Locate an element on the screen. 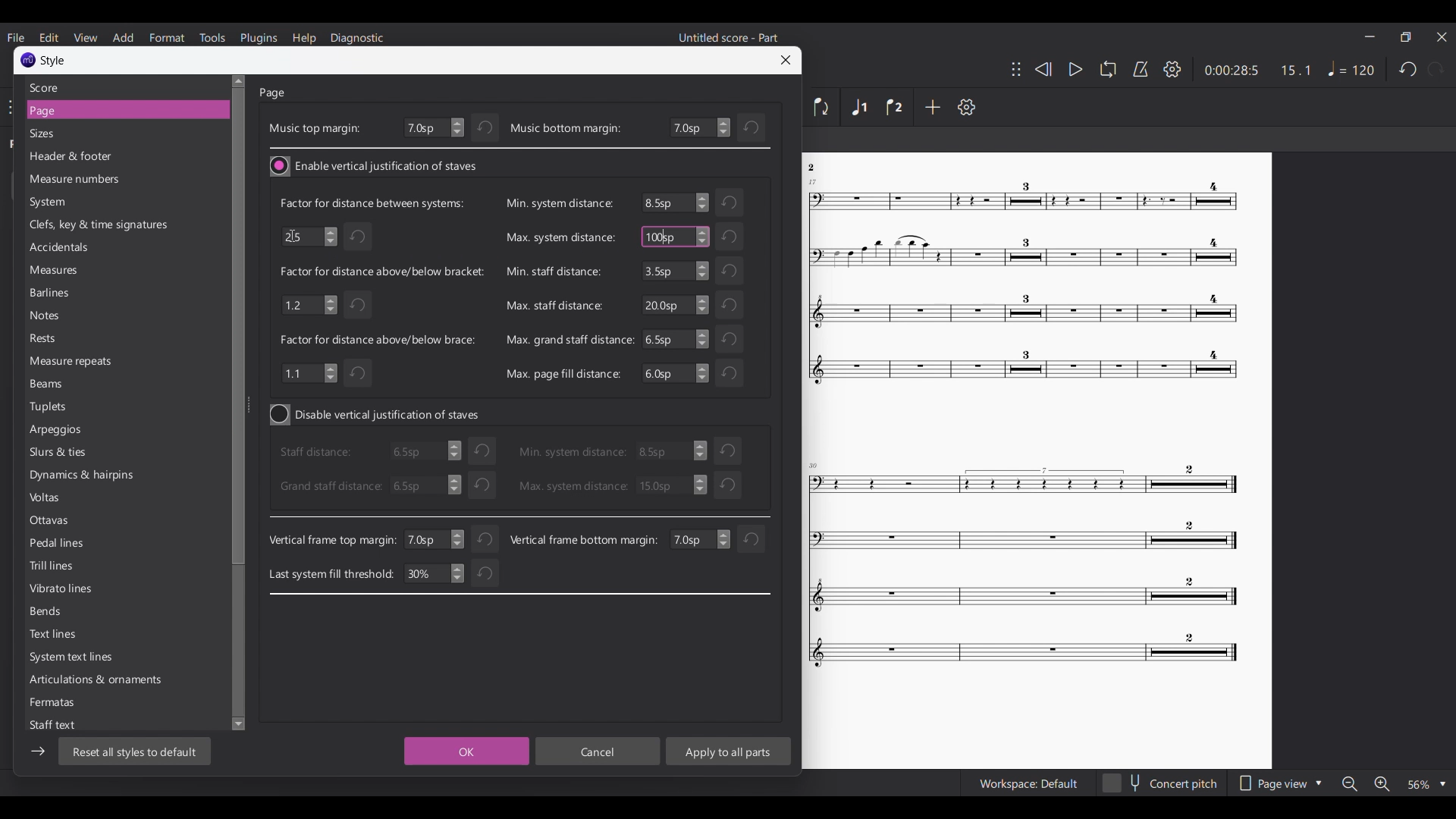 The width and height of the screenshot is (1456, 819). Text lines is located at coordinates (79, 635).